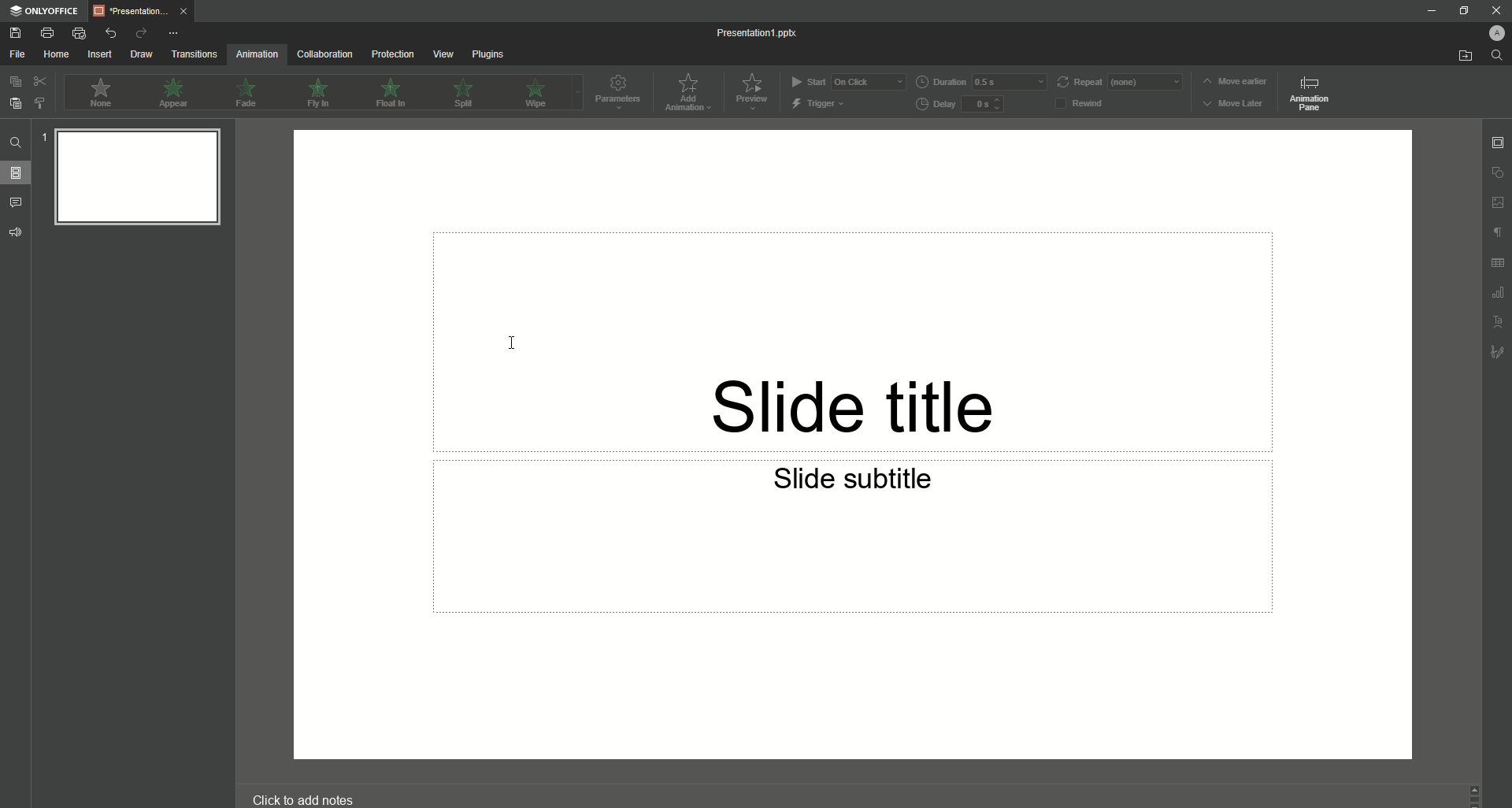  I want to click on Float In, so click(393, 93).